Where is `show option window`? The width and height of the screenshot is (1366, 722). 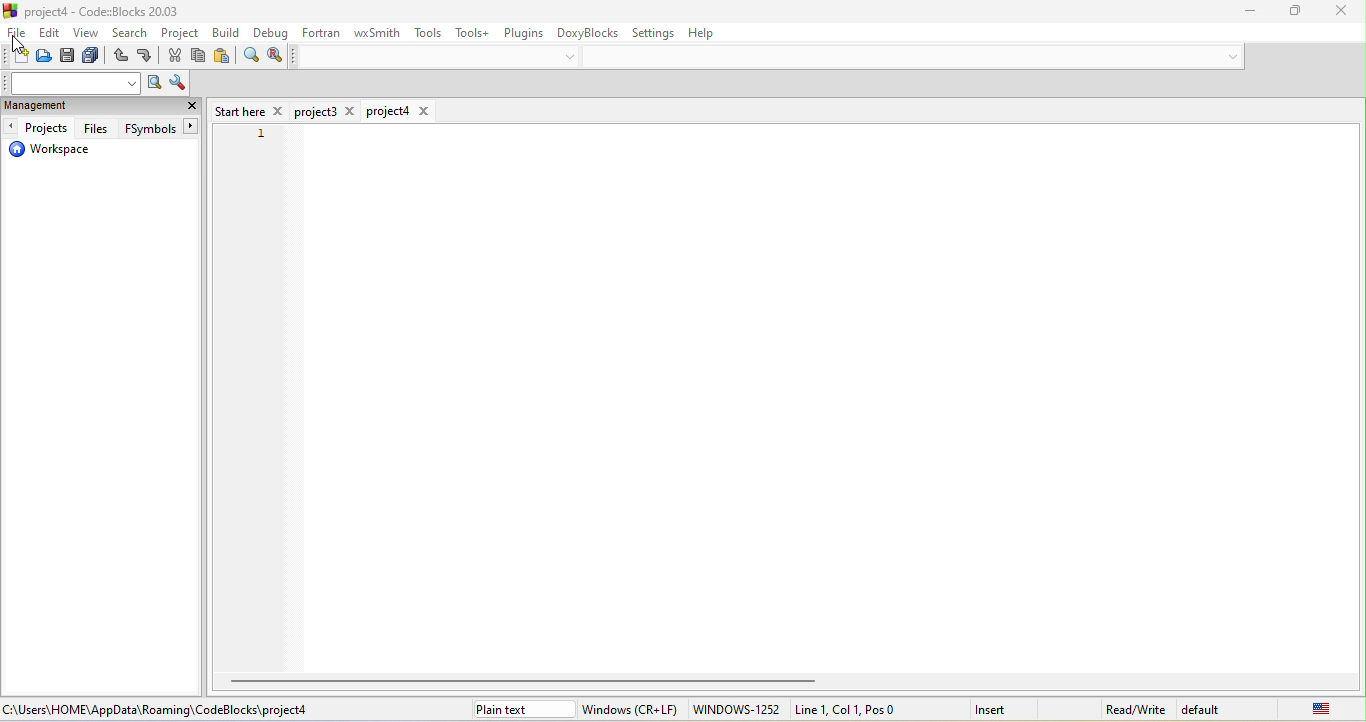 show option window is located at coordinates (174, 83).